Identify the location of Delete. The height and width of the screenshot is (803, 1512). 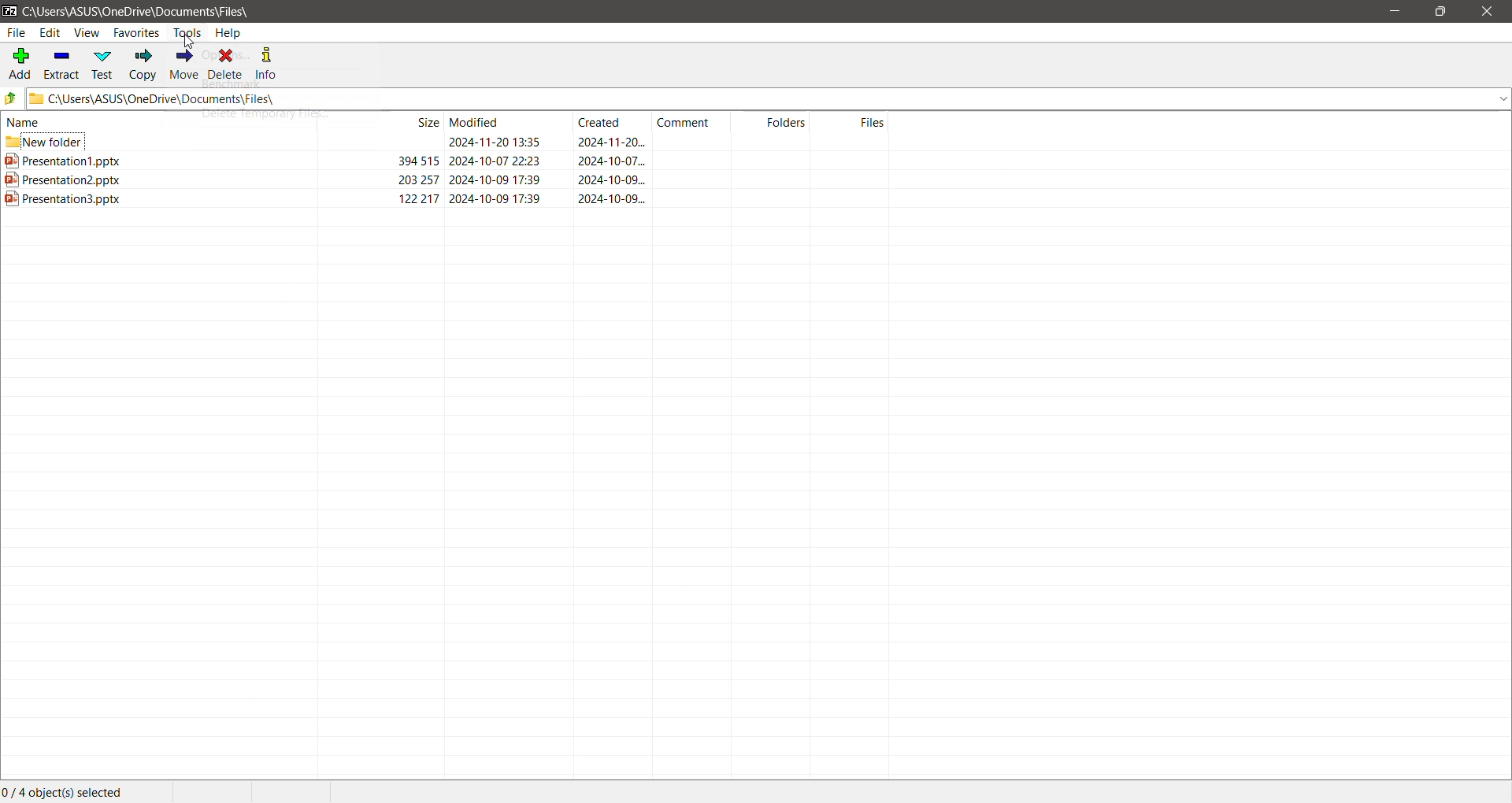
(228, 65).